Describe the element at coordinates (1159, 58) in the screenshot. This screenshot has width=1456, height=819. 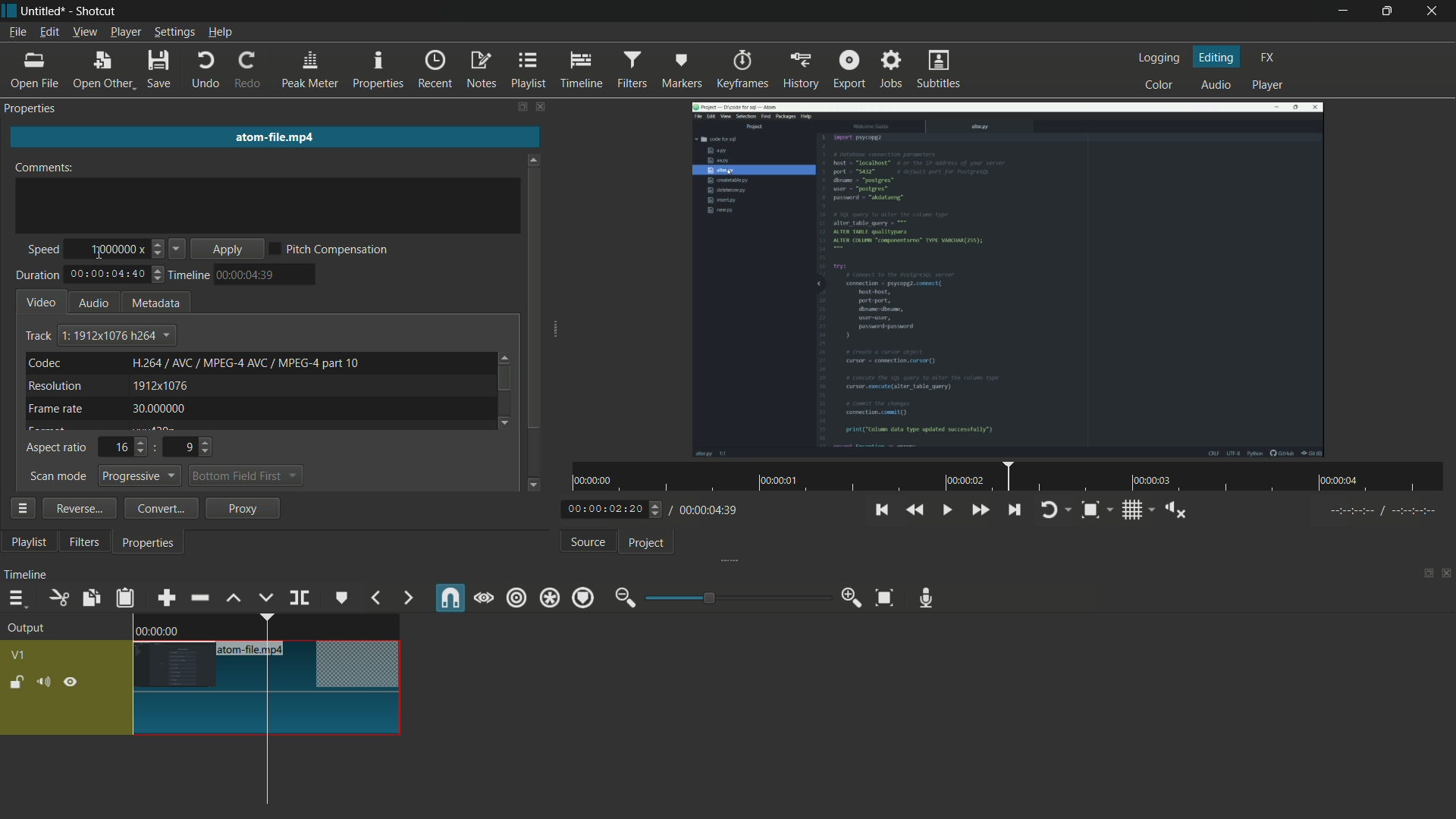
I see `logging` at that location.